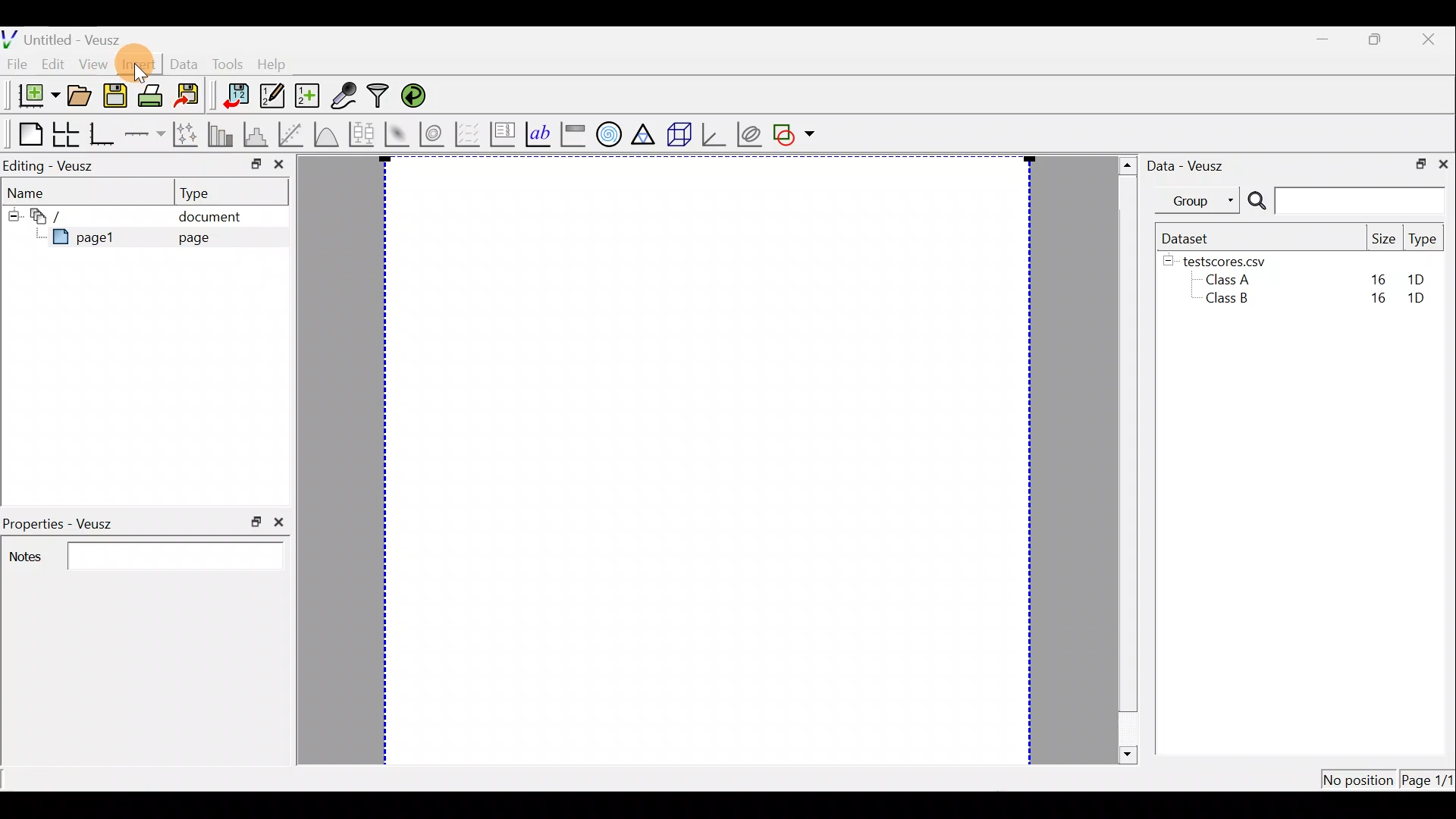 Image resolution: width=1456 pixels, height=819 pixels. What do you see at coordinates (415, 96) in the screenshot?
I see `Reload linked datasets` at bounding box center [415, 96].